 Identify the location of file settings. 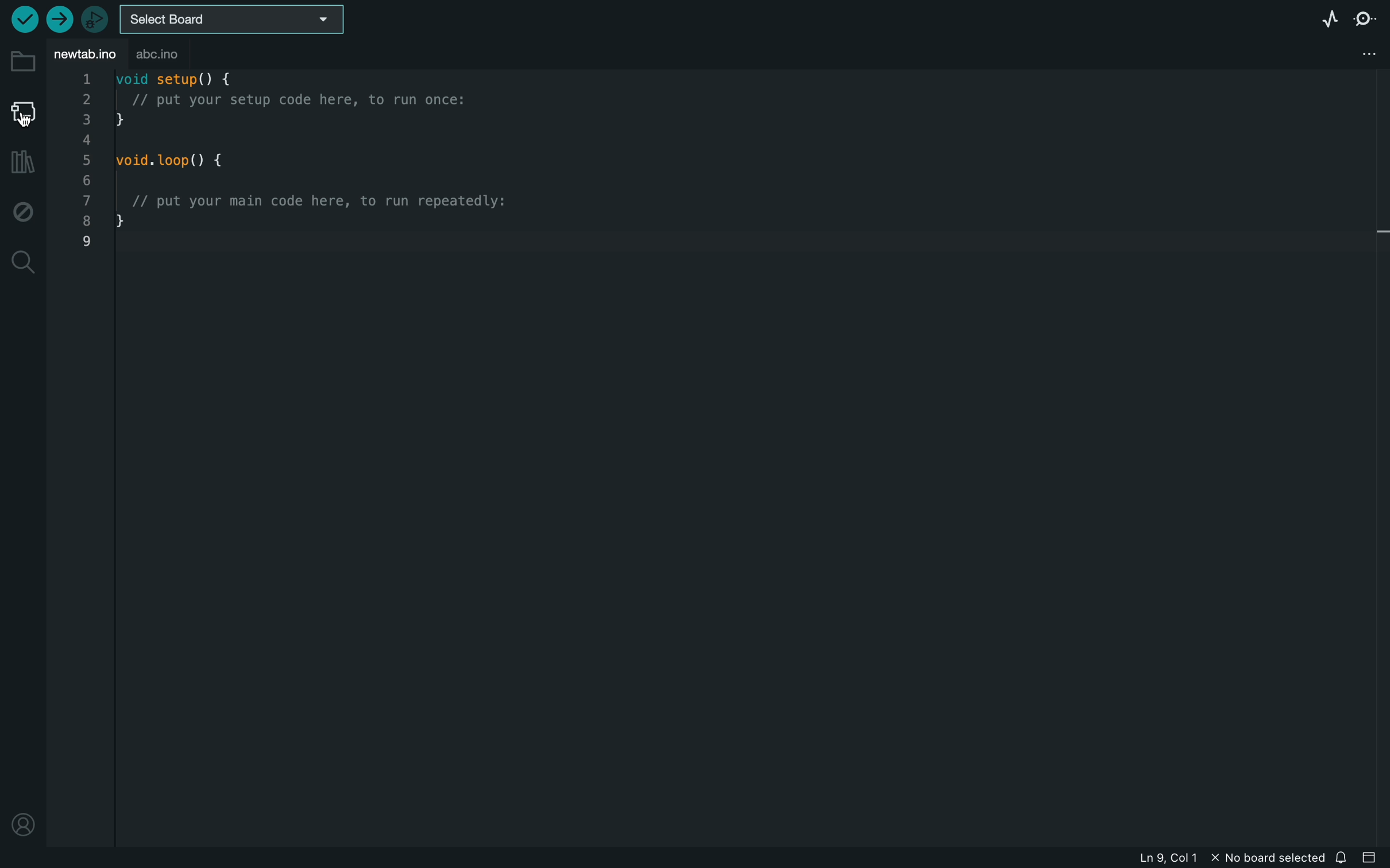
(1352, 55).